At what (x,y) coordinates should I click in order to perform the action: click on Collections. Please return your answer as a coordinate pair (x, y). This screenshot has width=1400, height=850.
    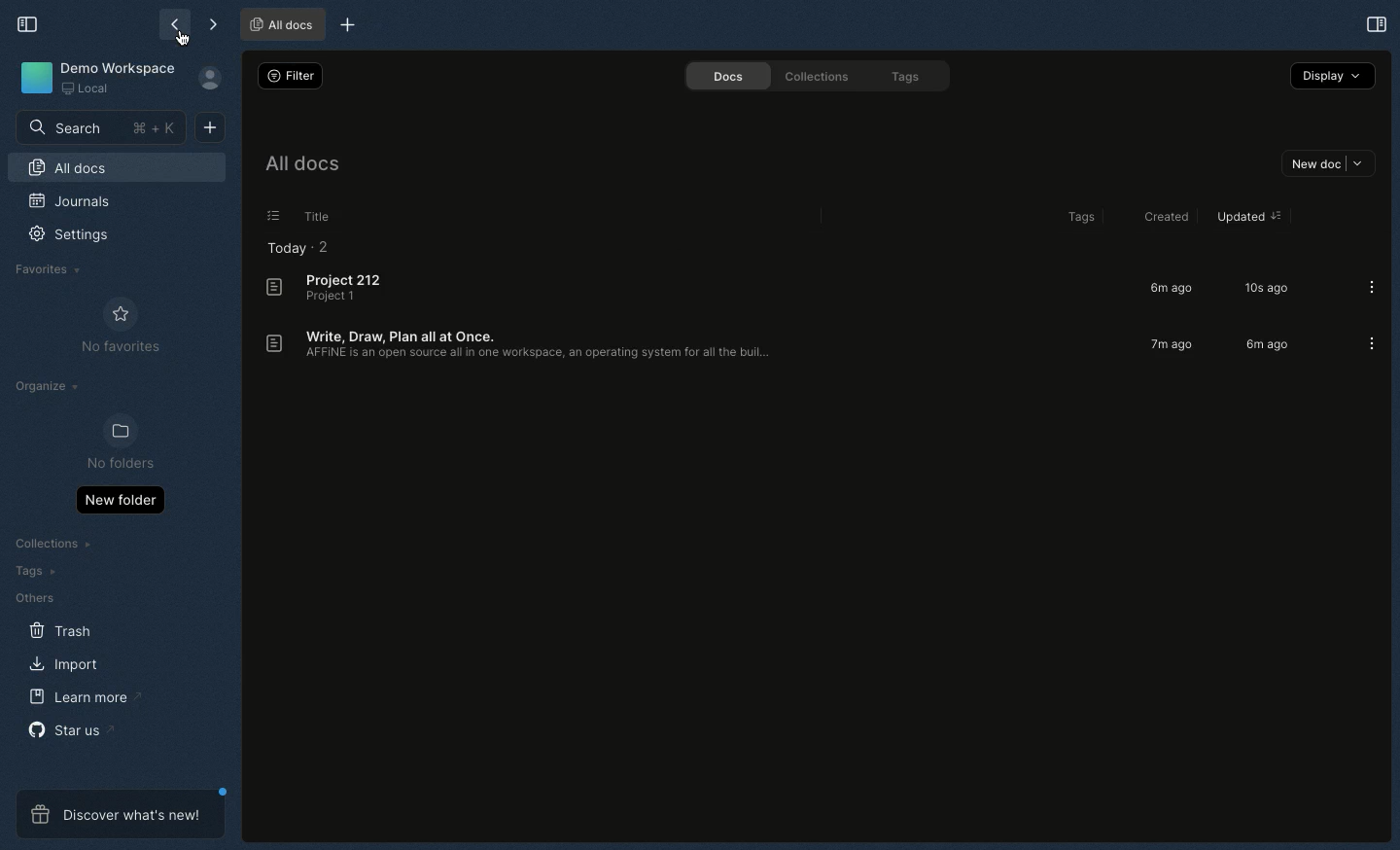
    Looking at the image, I should click on (52, 542).